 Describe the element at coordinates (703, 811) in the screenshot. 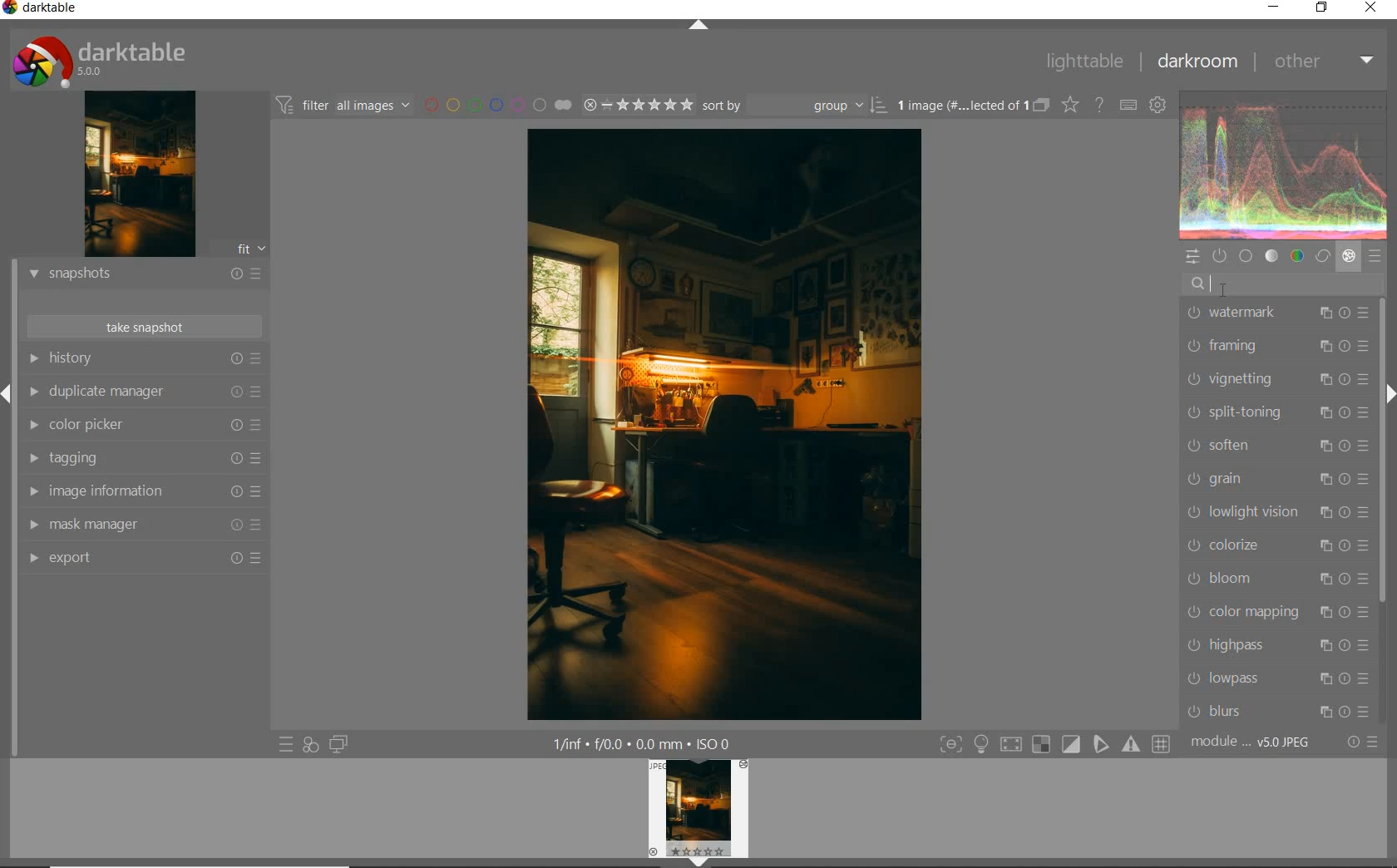

I see `image preview` at that location.